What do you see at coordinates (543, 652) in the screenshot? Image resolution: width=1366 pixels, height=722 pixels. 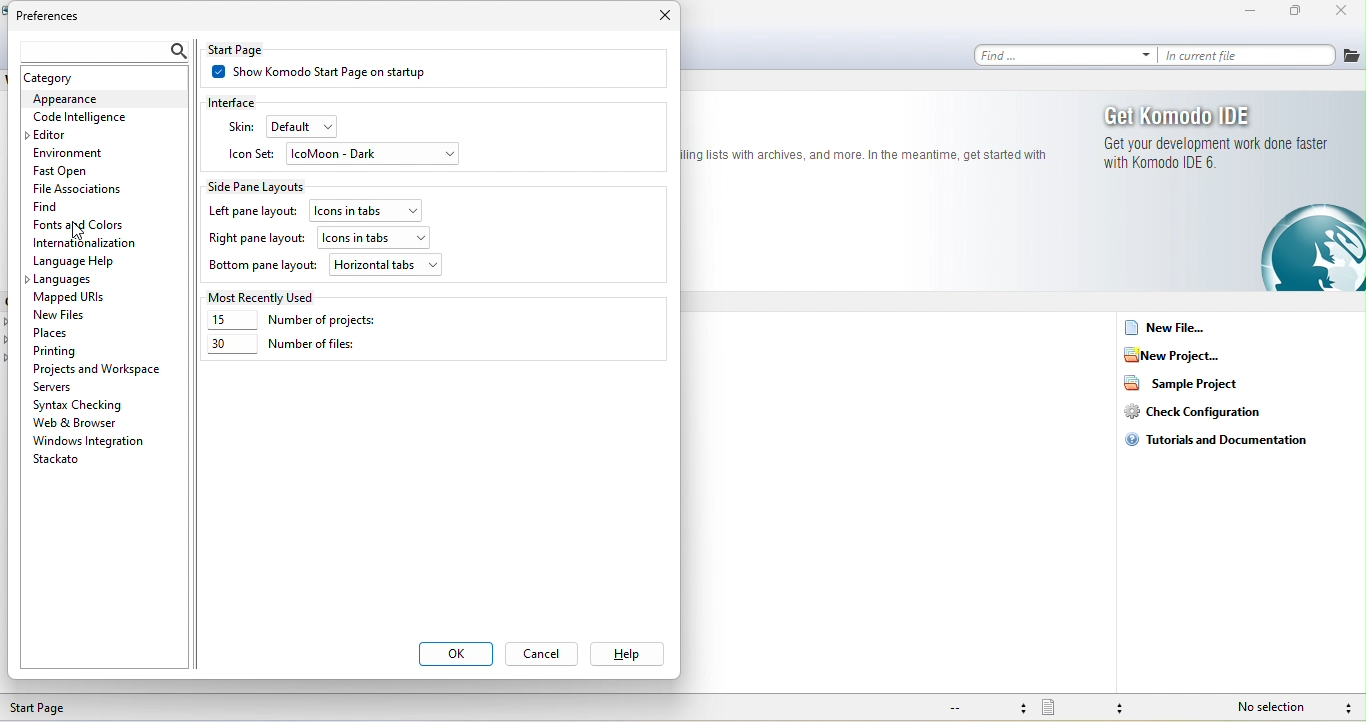 I see `cancel` at bounding box center [543, 652].